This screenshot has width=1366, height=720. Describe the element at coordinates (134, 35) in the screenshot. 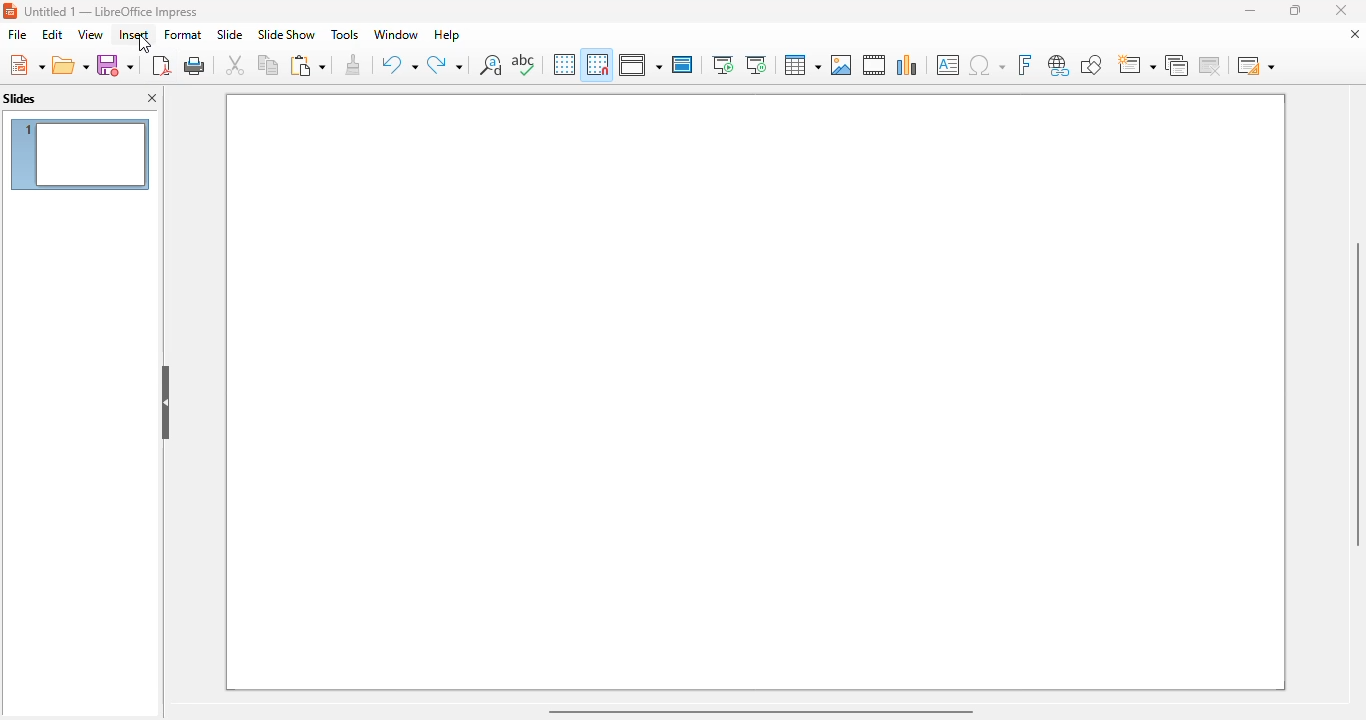

I see `insert` at that location.